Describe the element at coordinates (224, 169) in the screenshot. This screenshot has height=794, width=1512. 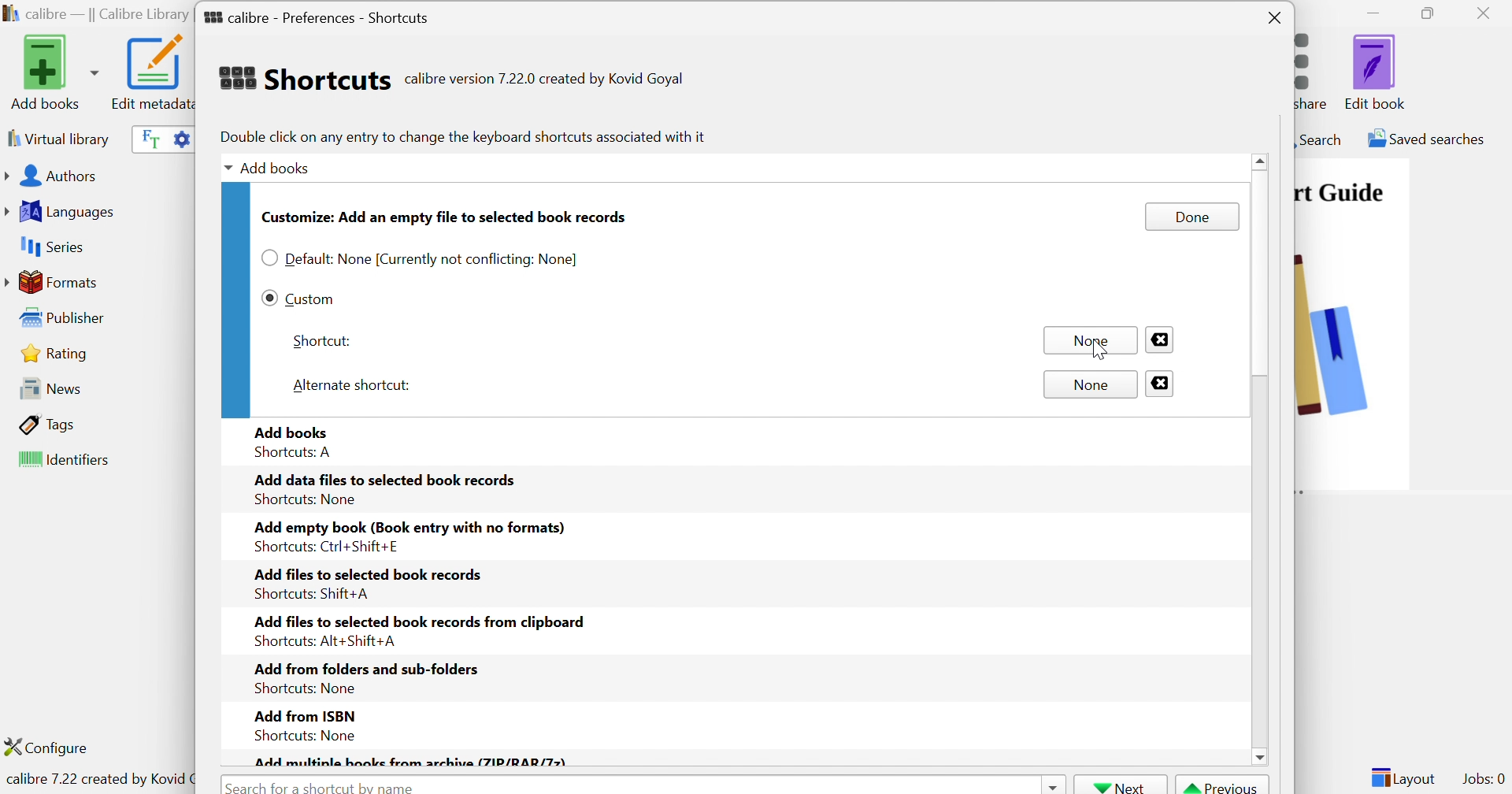
I see `Drop Down` at that location.